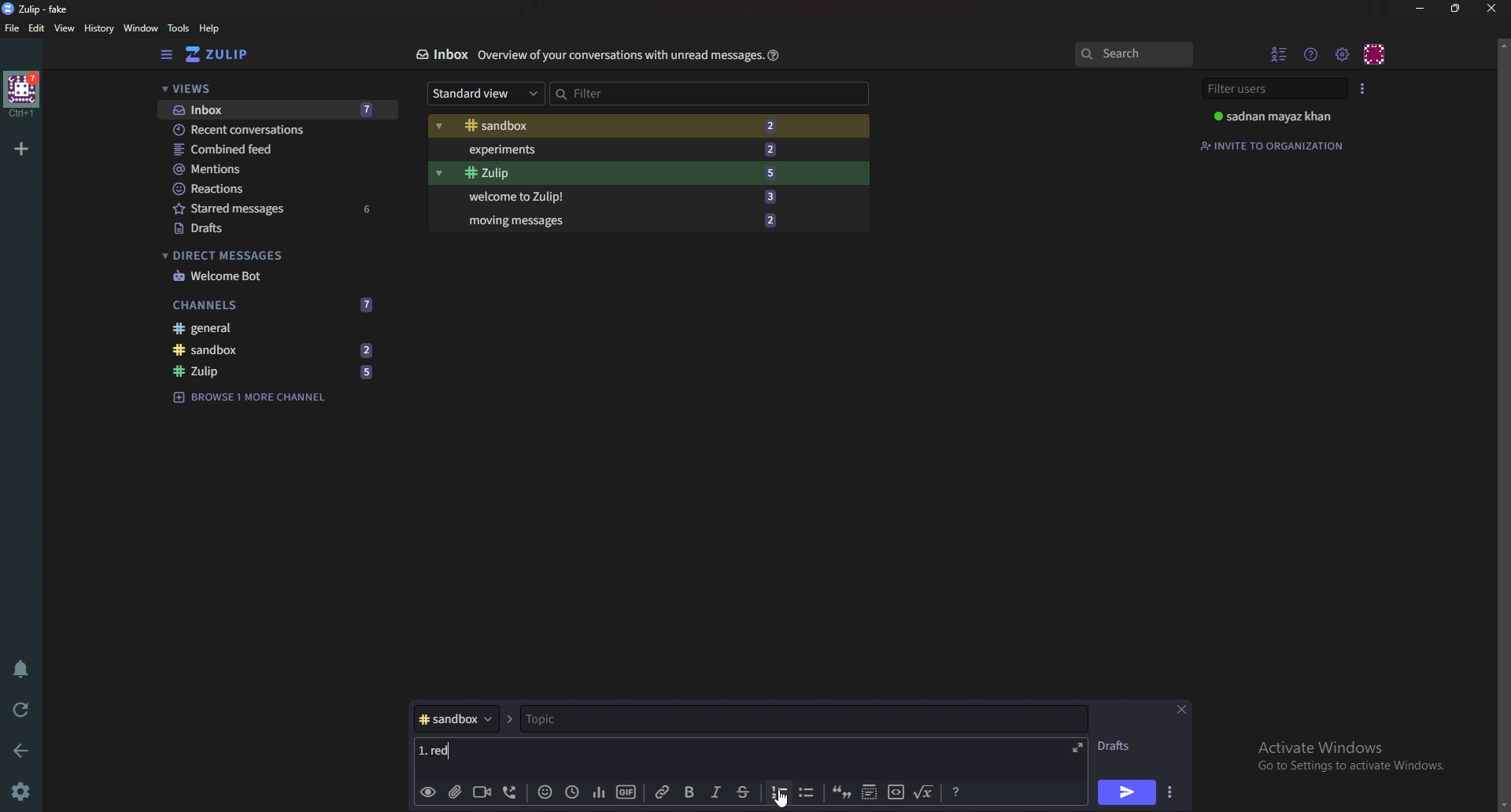 Image resolution: width=1511 pixels, height=812 pixels. I want to click on Add organization, so click(23, 146).